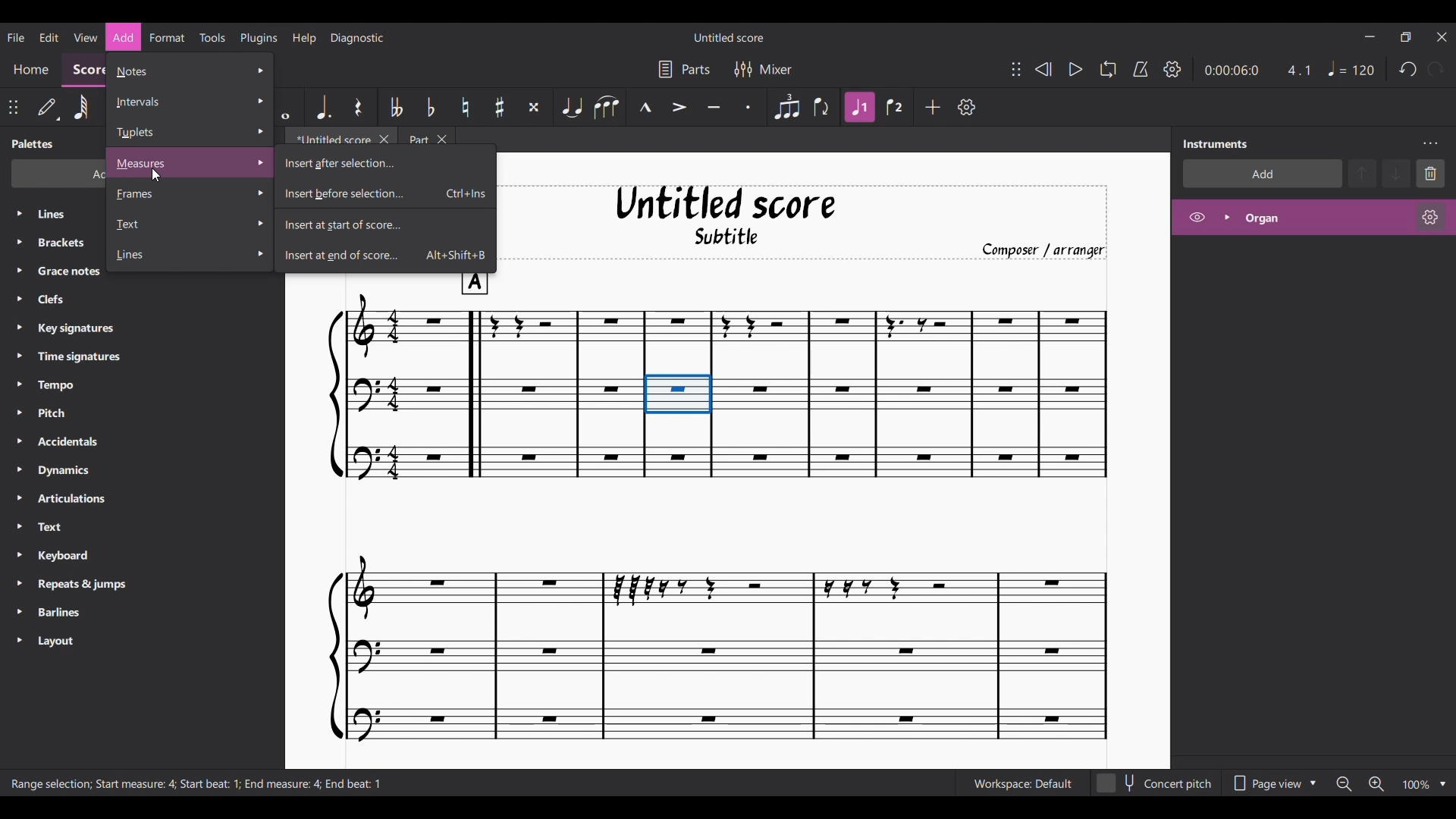 The image size is (1456, 819). Describe the element at coordinates (1417, 785) in the screenshot. I see `Current zoom factor` at that location.